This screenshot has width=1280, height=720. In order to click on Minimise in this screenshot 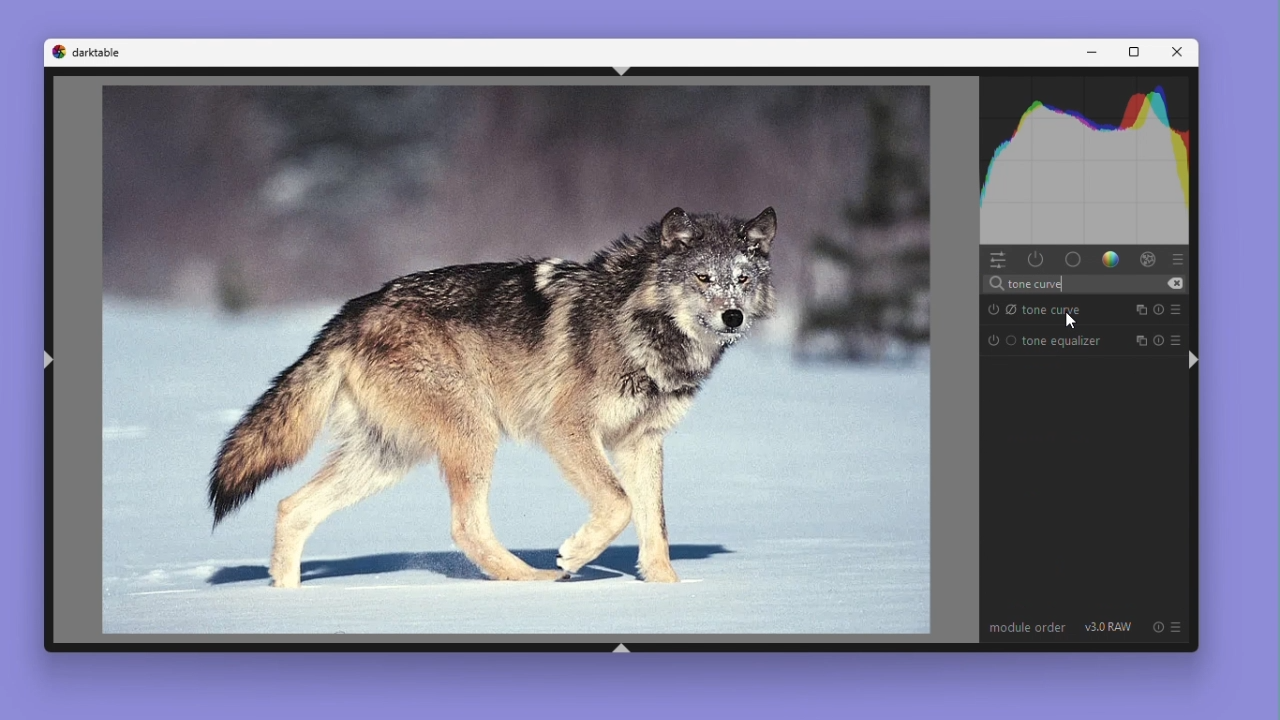, I will do `click(1091, 52)`.